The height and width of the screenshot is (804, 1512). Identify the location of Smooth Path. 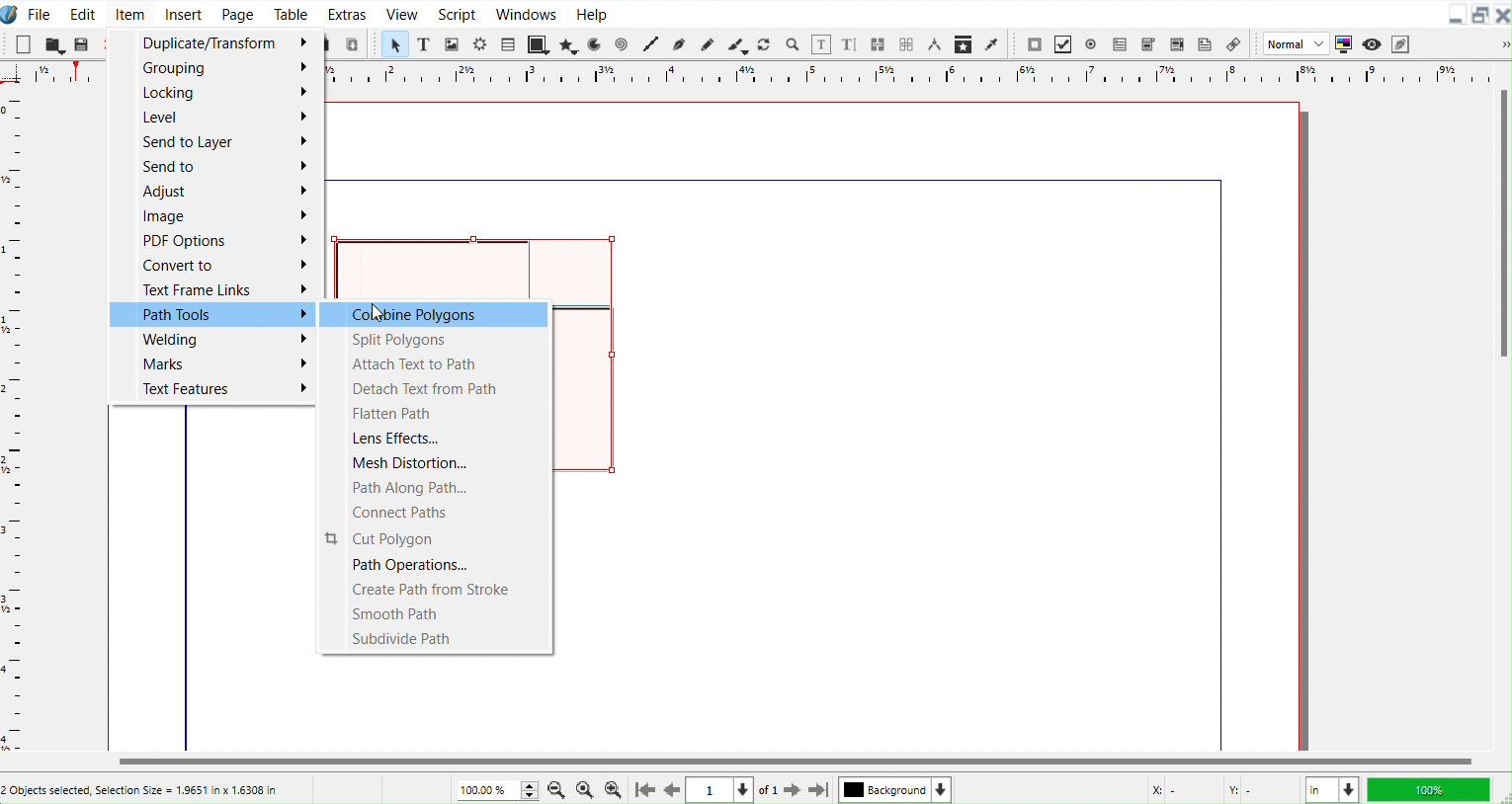
(437, 614).